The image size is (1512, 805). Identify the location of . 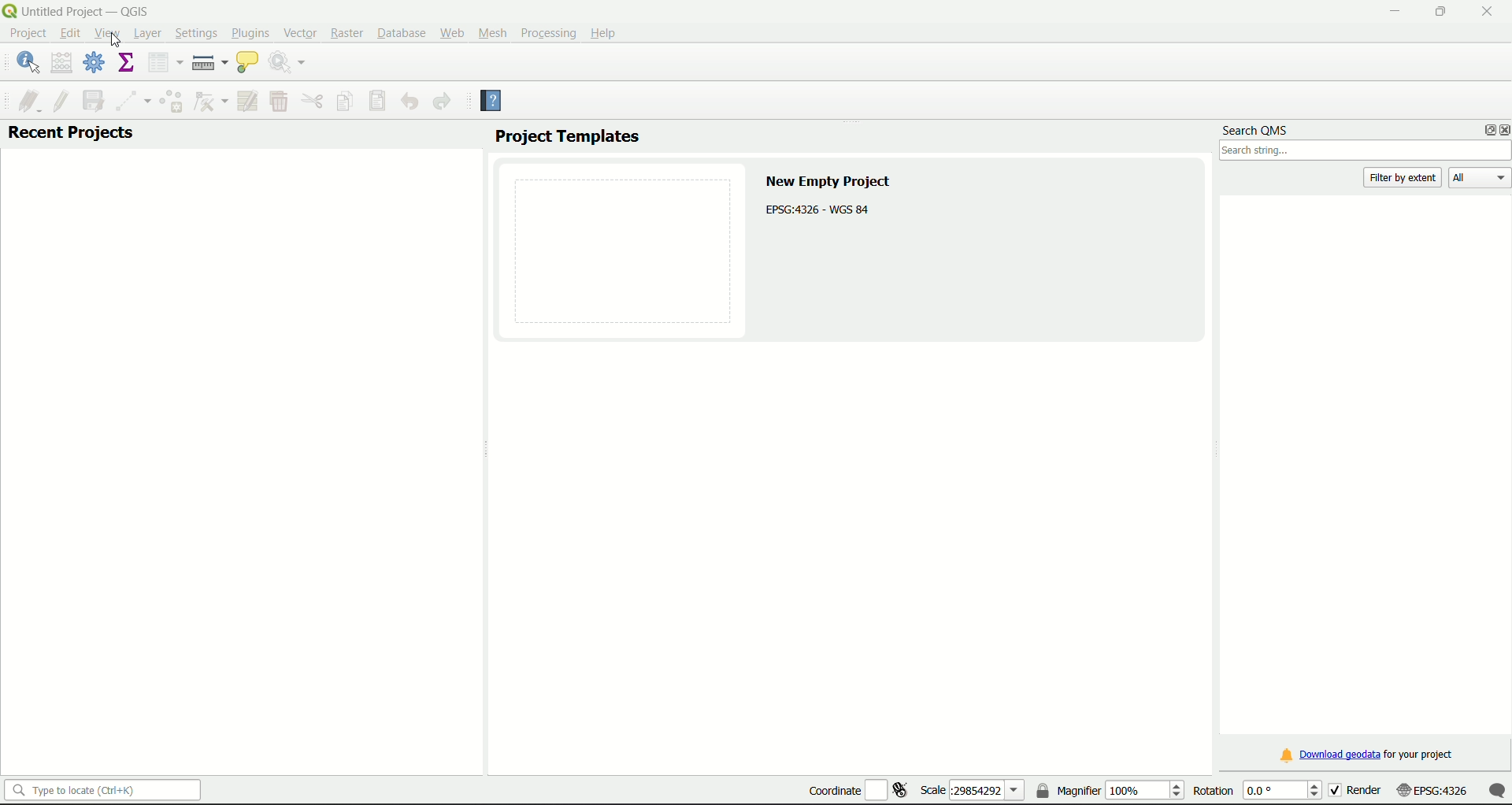
(313, 101).